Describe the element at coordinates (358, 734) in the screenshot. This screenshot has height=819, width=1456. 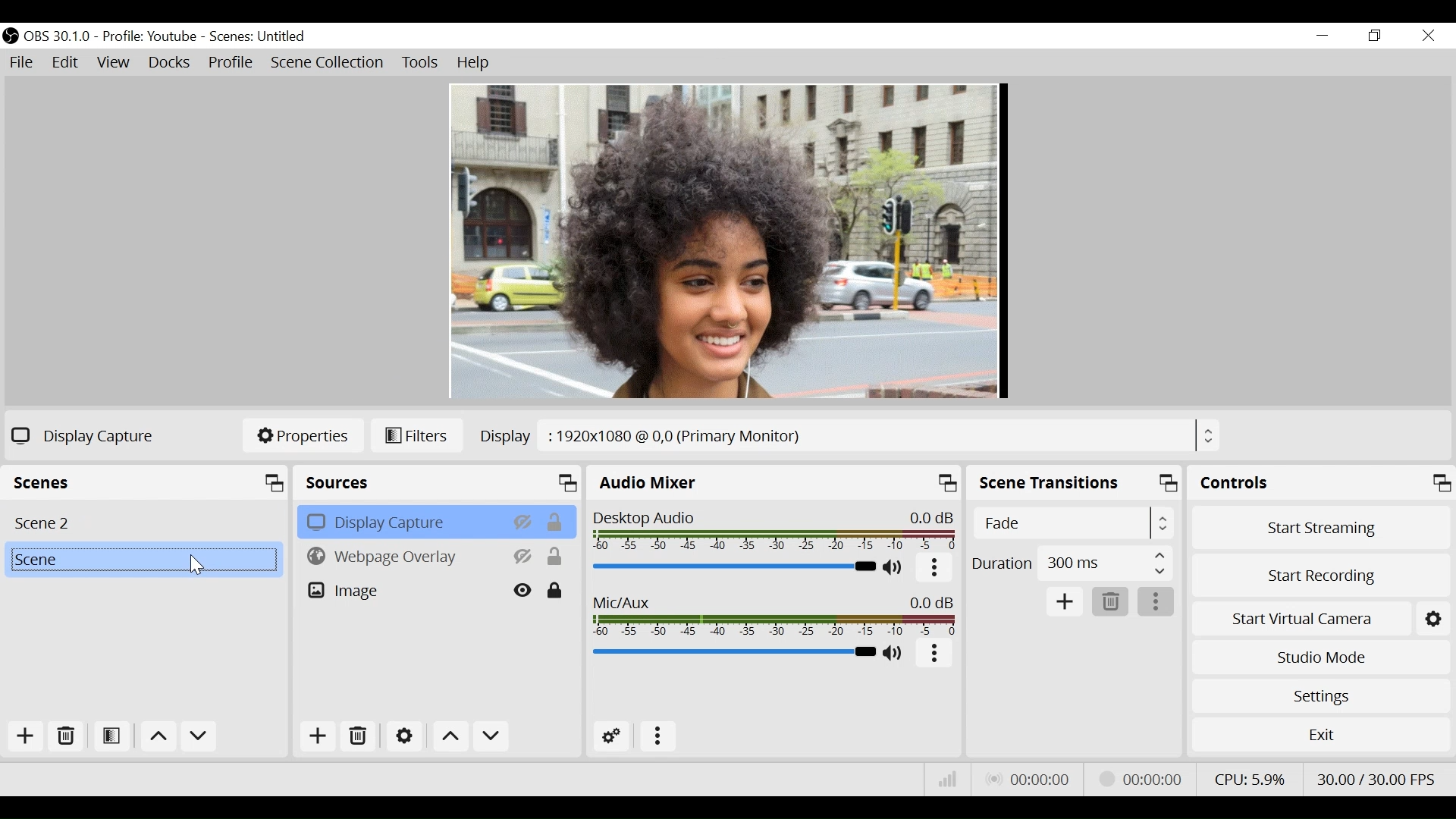
I see `Delete` at that location.